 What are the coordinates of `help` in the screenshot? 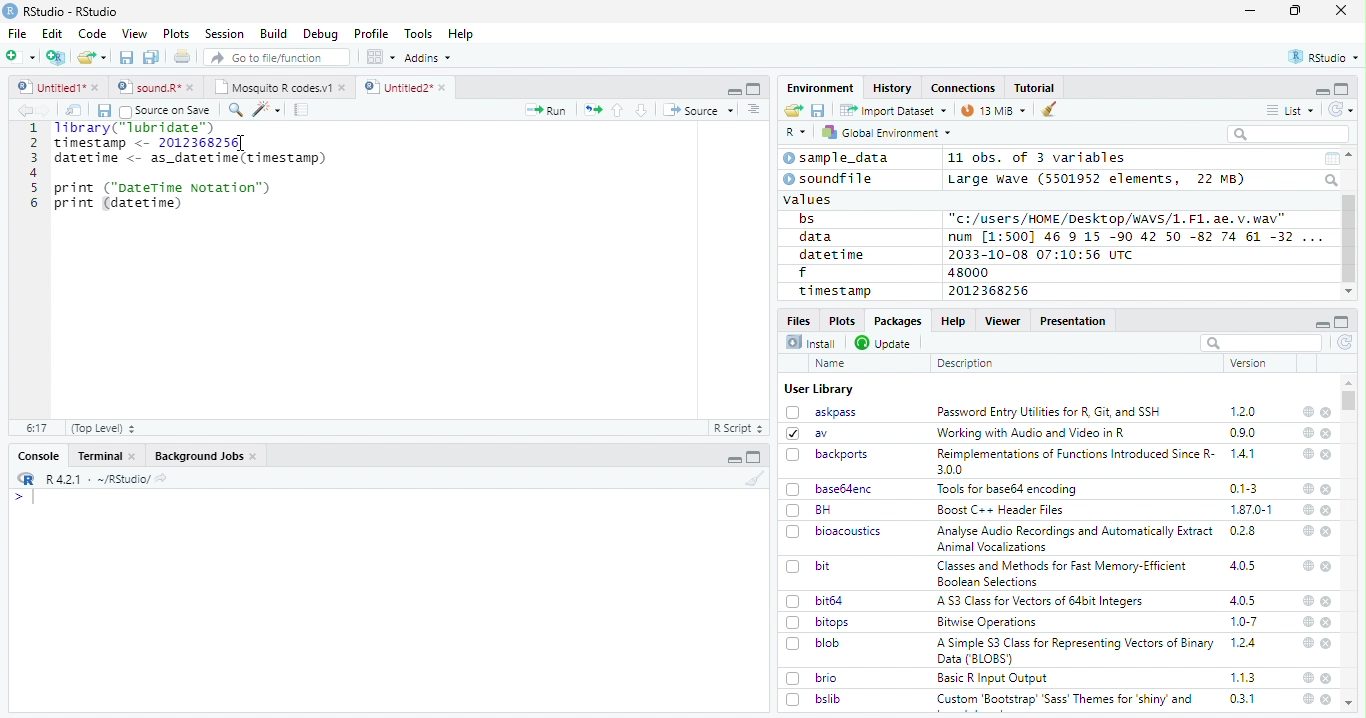 It's located at (1307, 565).